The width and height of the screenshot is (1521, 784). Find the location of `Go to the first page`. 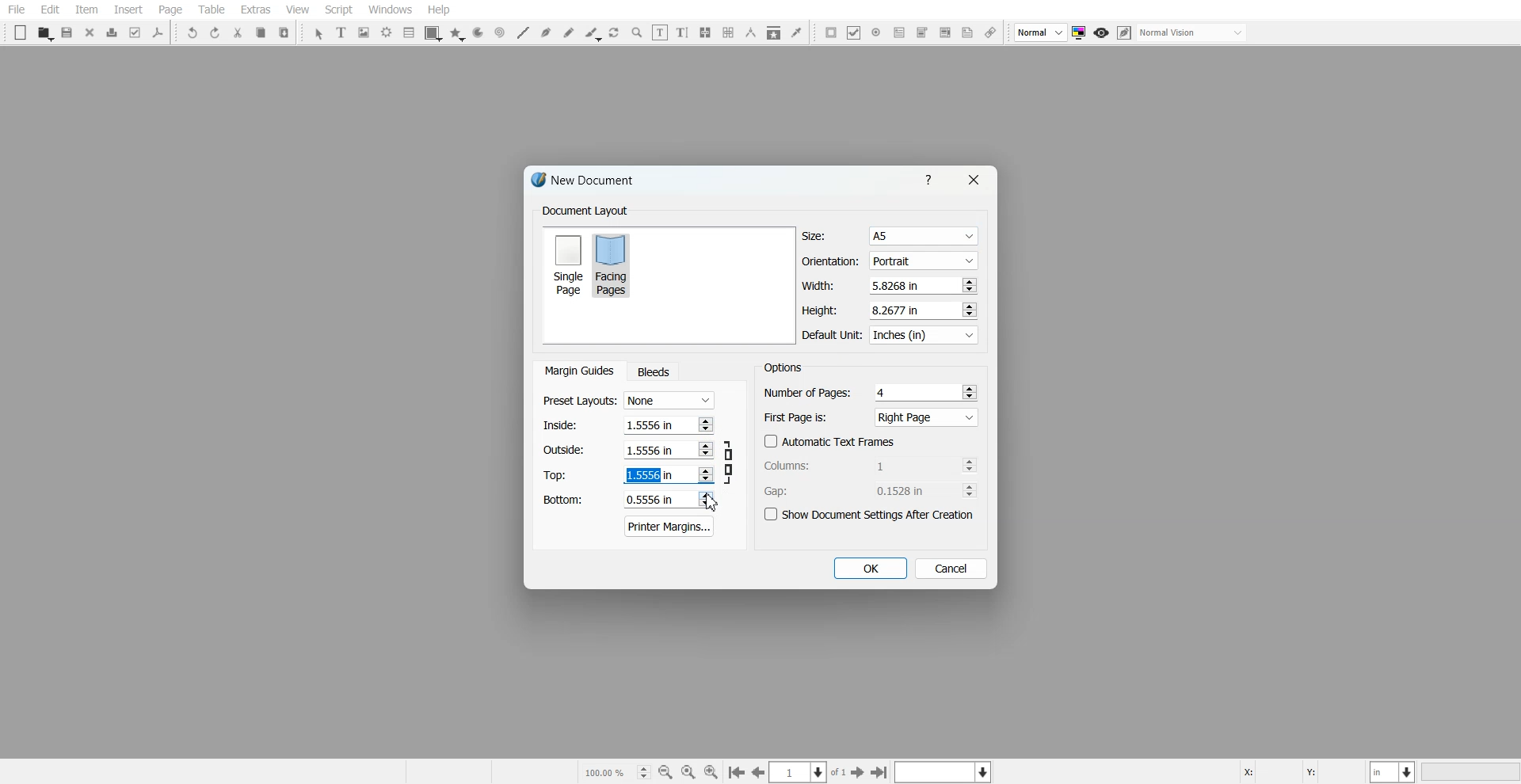

Go to the first page is located at coordinates (881, 772).